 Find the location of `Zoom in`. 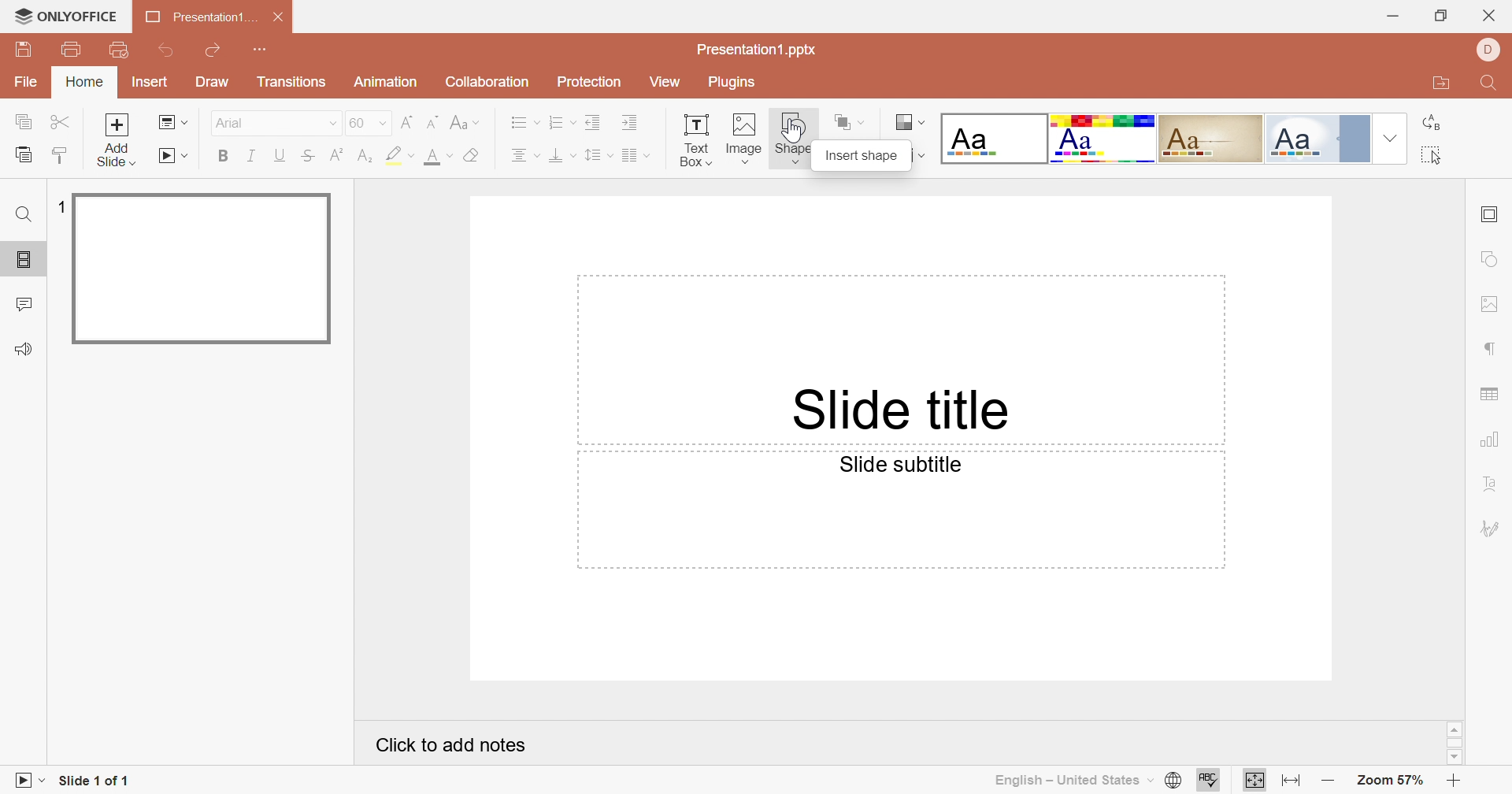

Zoom in is located at coordinates (1455, 782).